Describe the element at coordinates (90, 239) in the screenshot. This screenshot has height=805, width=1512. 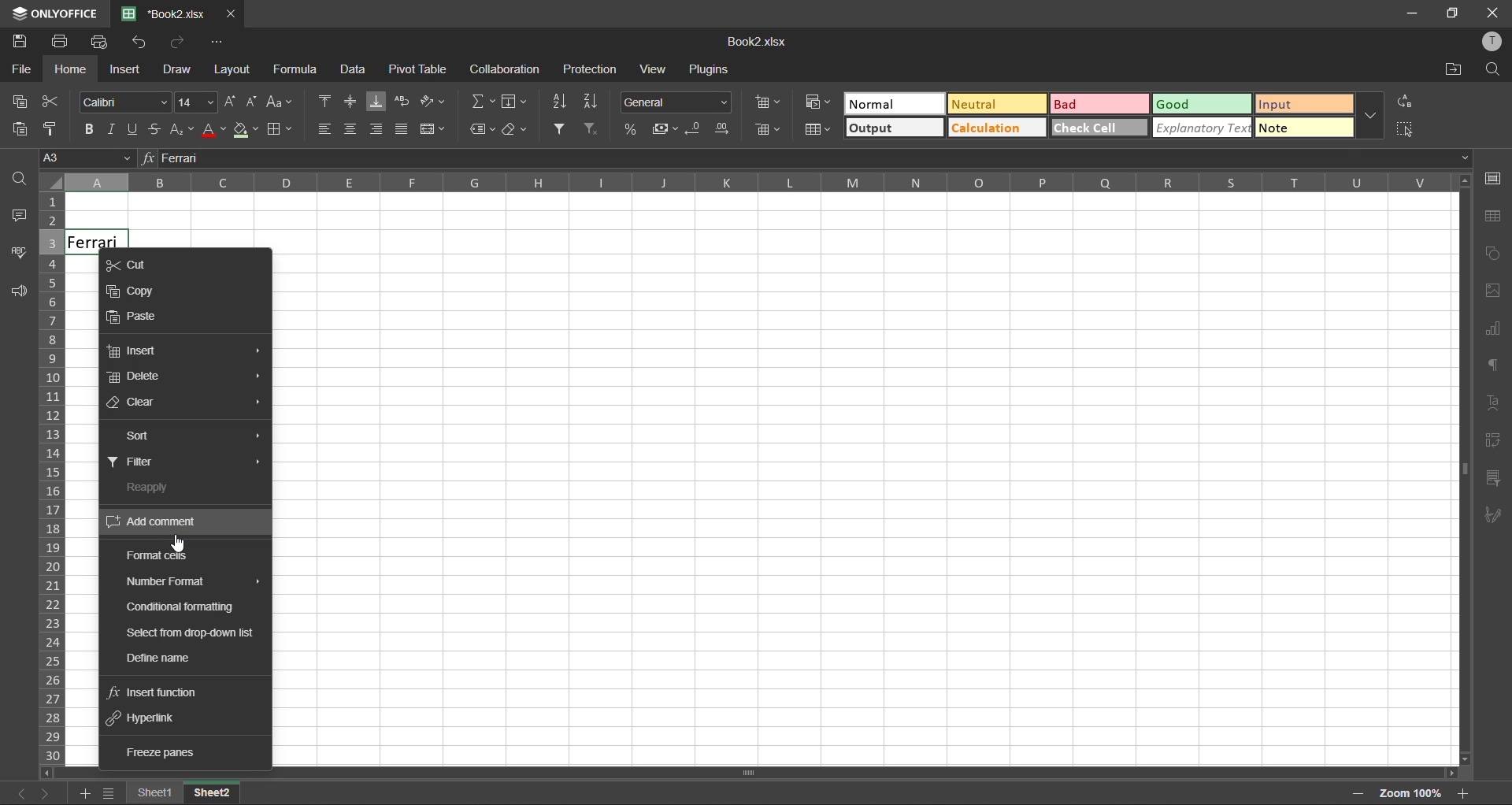
I see `Ferrari` at that location.